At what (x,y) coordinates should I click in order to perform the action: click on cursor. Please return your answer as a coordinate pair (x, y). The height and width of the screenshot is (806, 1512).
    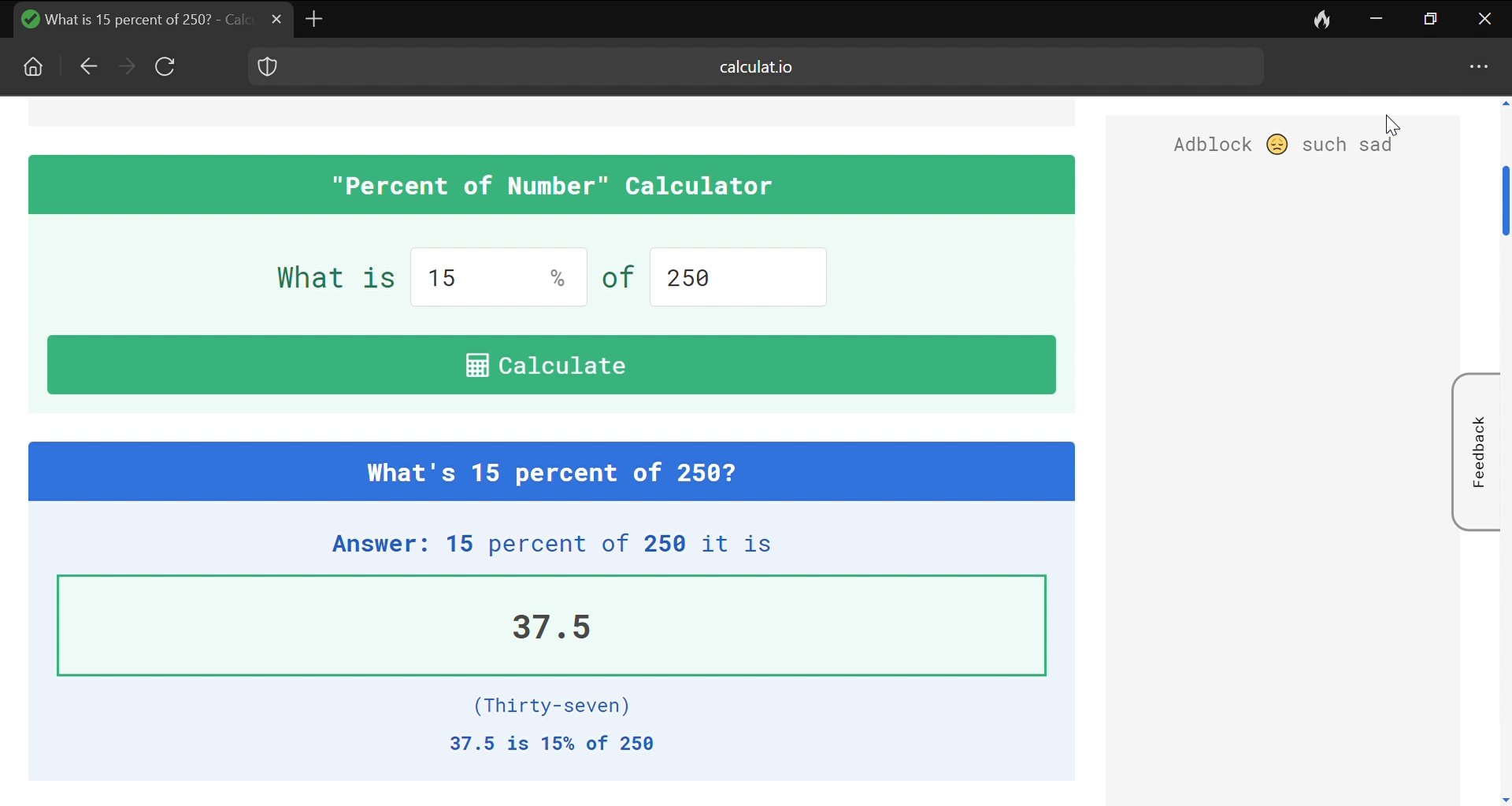
    Looking at the image, I should click on (1393, 128).